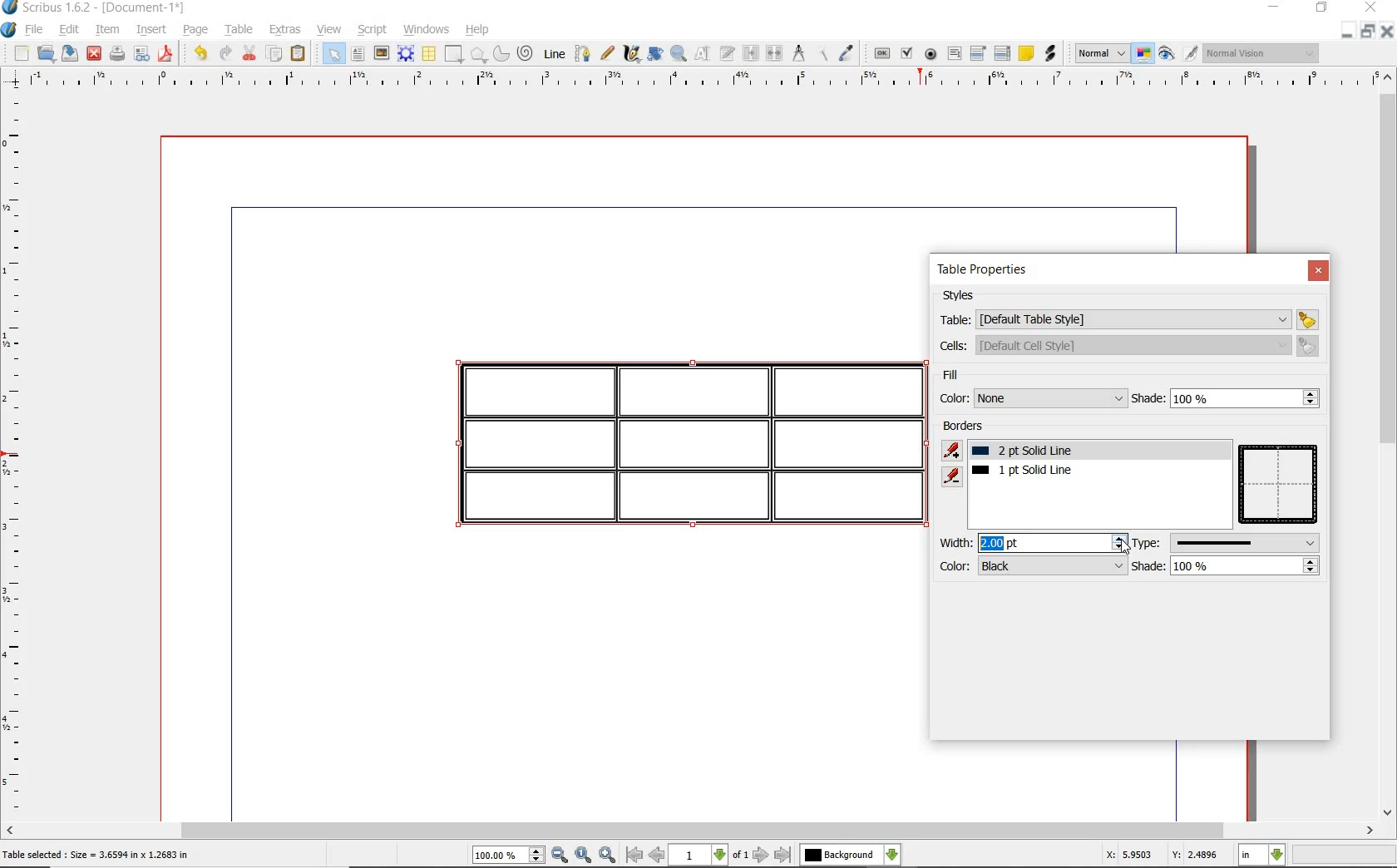  I want to click on close, so click(1317, 270).